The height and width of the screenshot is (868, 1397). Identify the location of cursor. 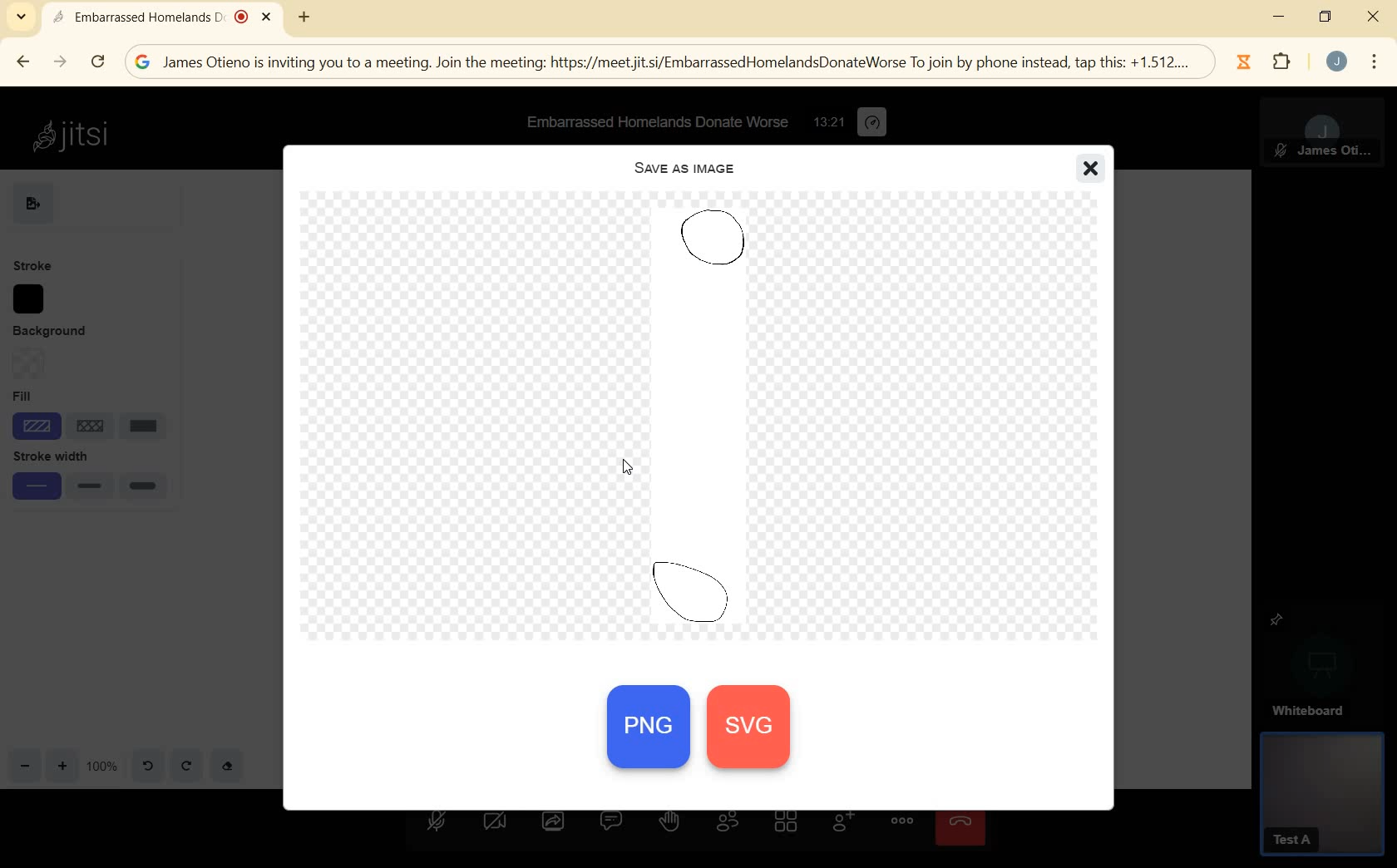
(627, 471).